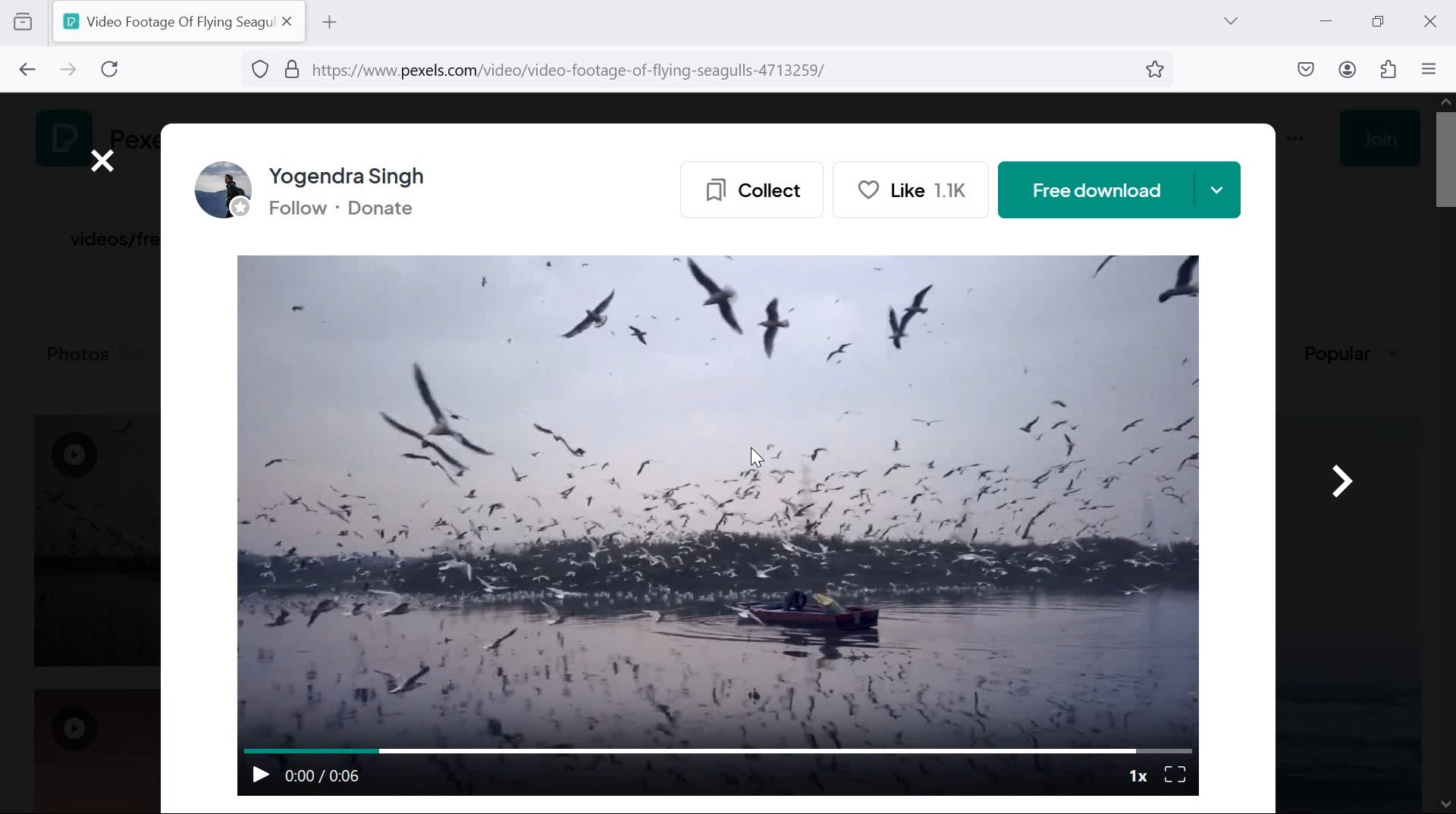 The image size is (1456, 814). Describe the element at coordinates (1432, 70) in the screenshot. I see `open application menu` at that location.